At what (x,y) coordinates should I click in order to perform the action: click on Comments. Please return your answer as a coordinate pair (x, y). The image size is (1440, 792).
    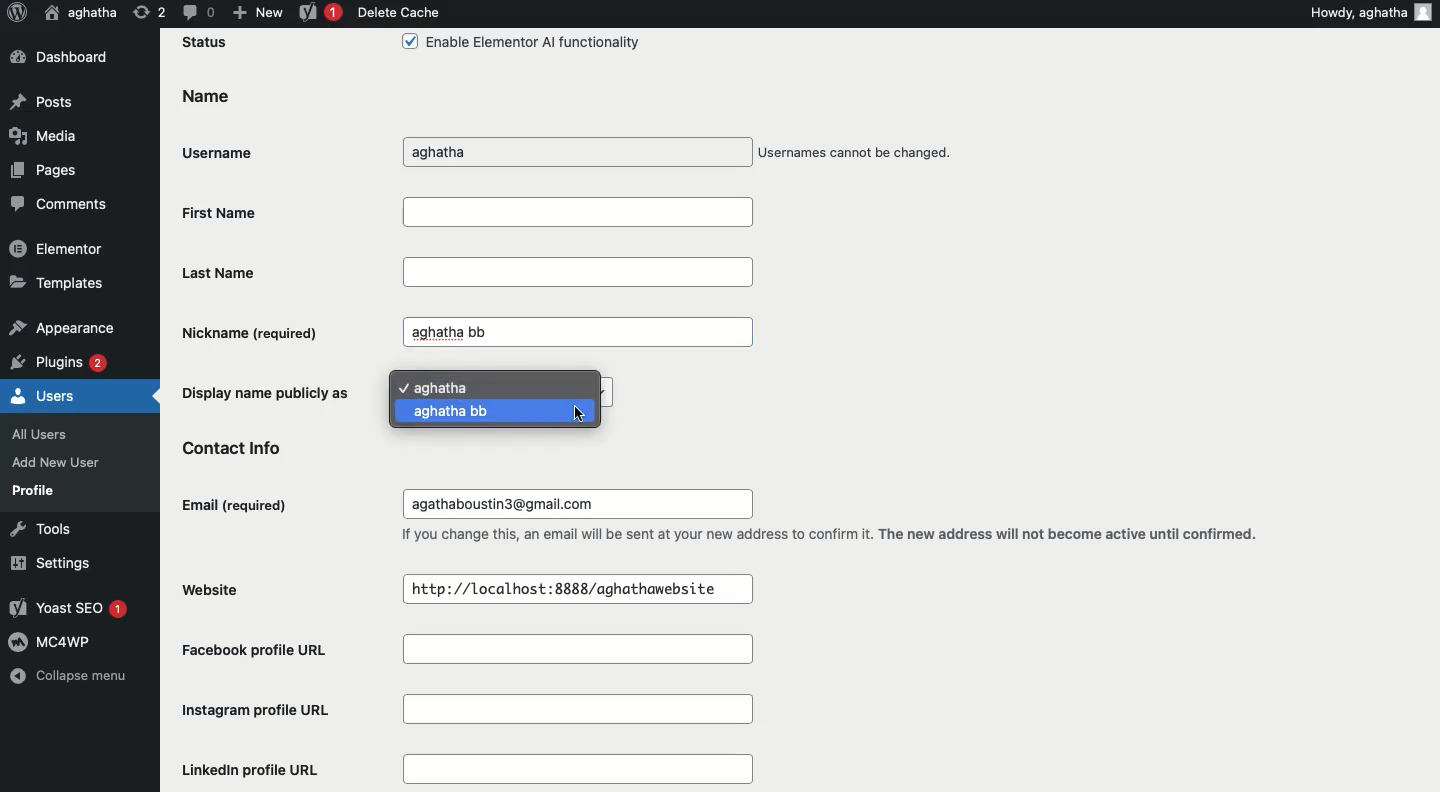
    Looking at the image, I should click on (60, 205).